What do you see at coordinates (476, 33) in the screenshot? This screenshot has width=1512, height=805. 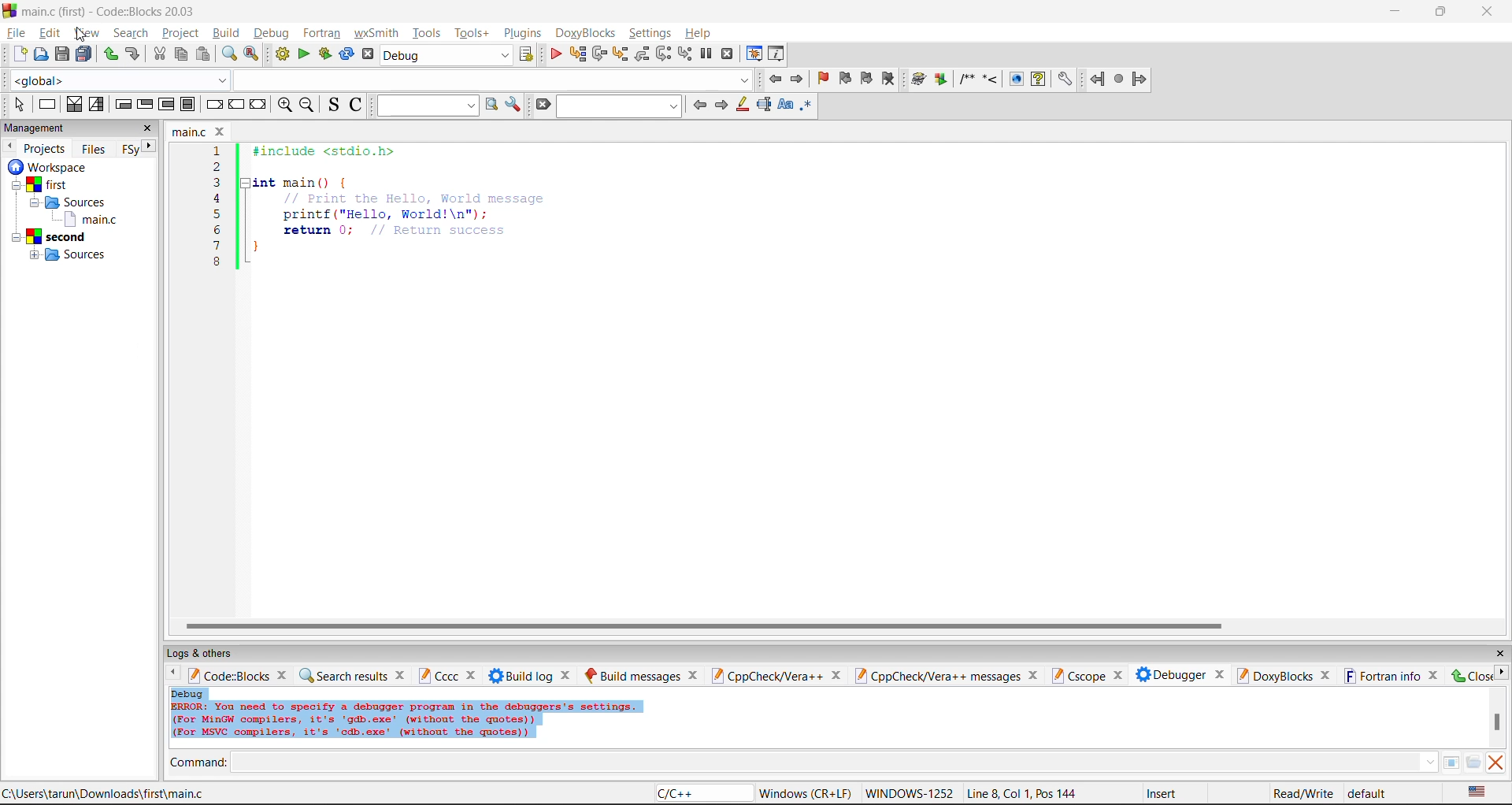 I see `tools+` at bounding box center [476, 33].